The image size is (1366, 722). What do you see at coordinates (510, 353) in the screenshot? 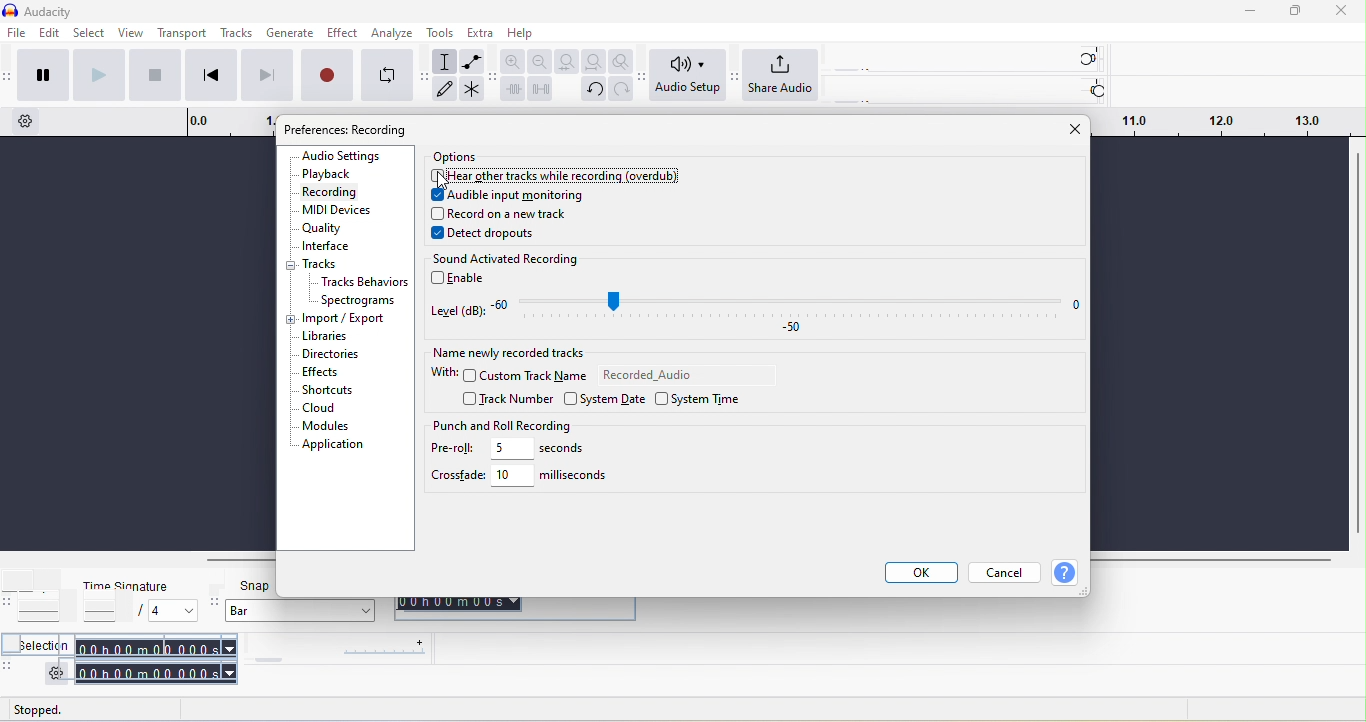
I see `name newly recorded tracks` at bounding box center [510, 353].